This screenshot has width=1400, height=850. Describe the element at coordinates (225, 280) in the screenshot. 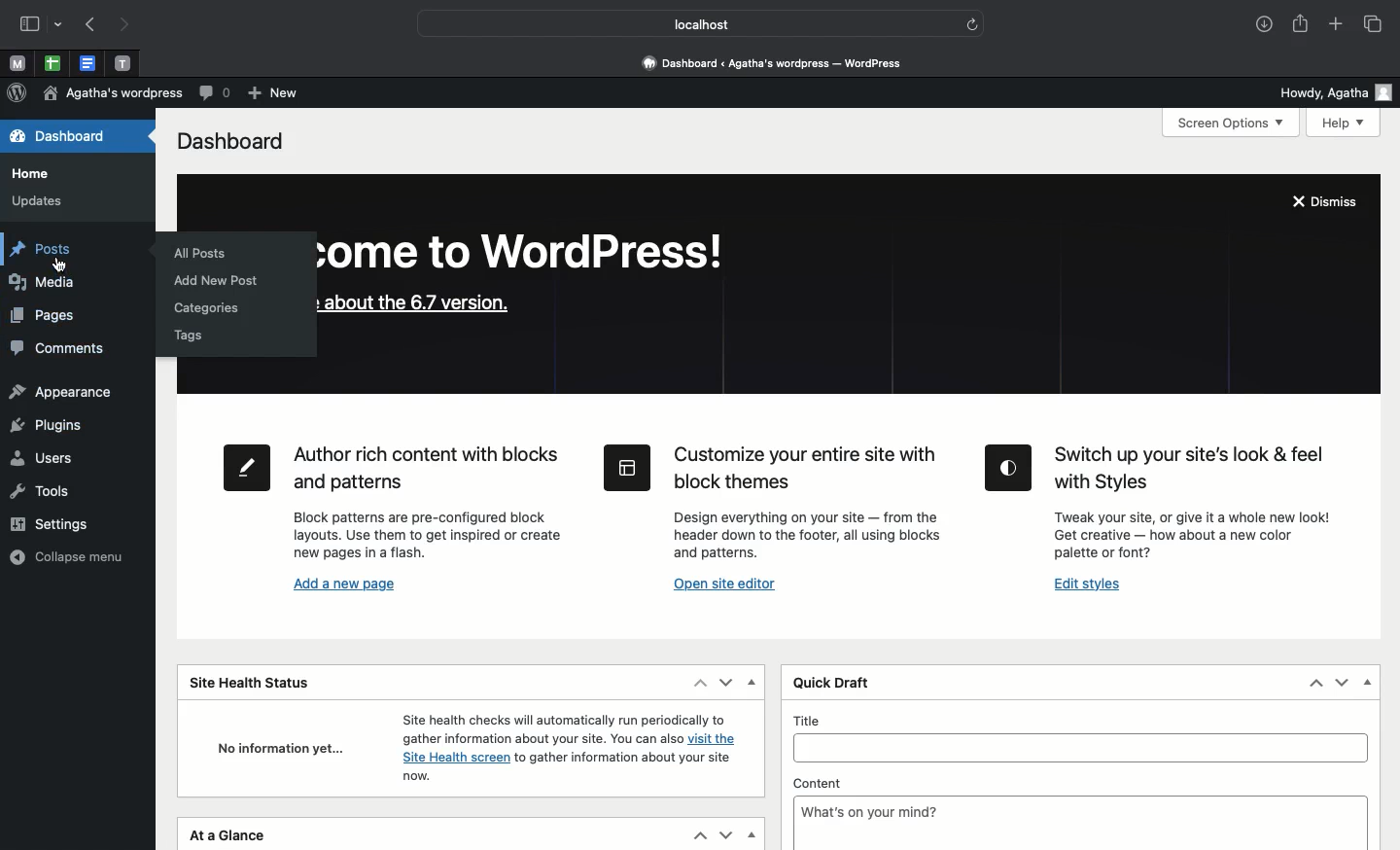

I see `Add new post` at that location.